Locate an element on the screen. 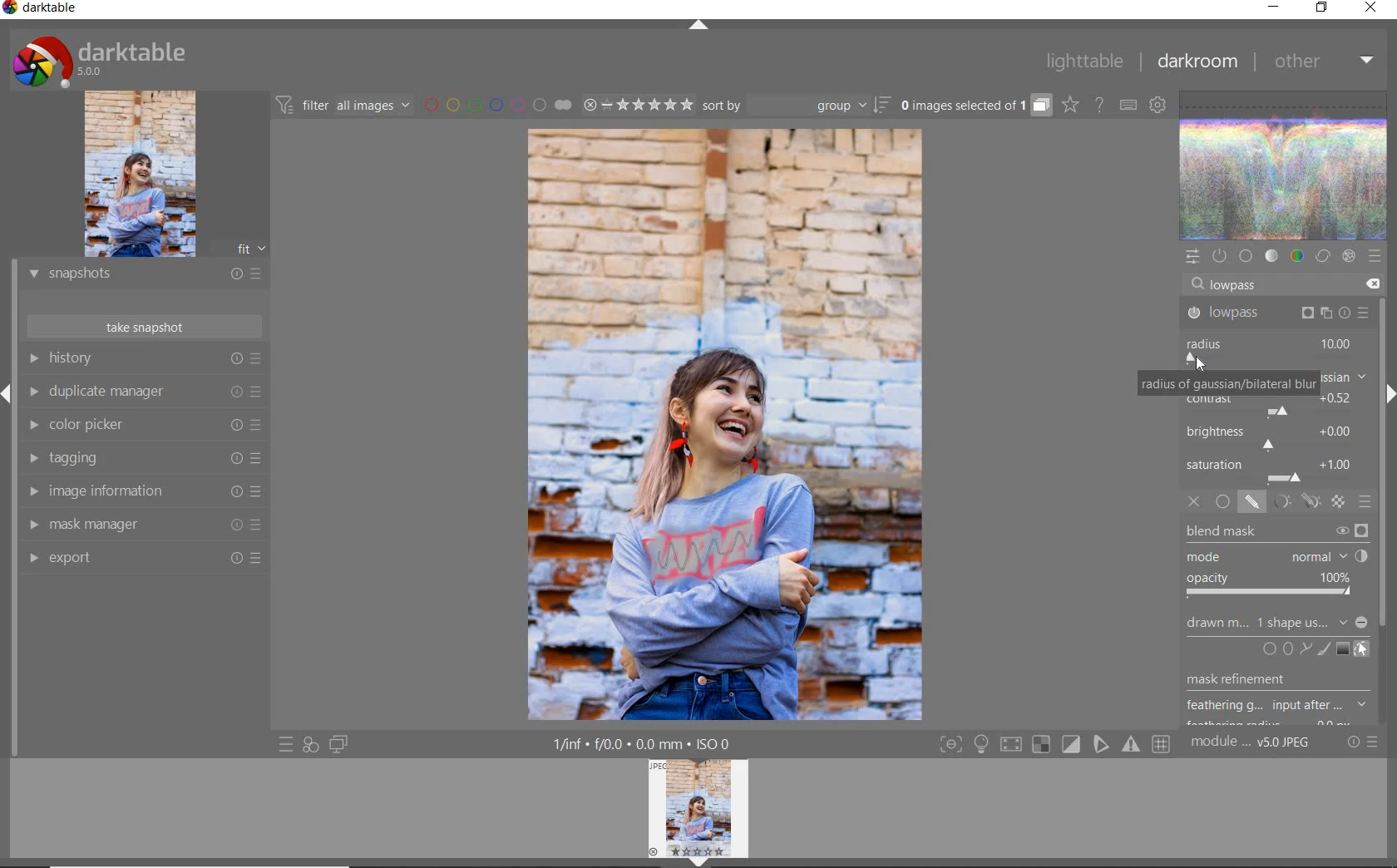 This screenshot has height=868, width=1397. musk refinement is located at coordinates (1266, 682).